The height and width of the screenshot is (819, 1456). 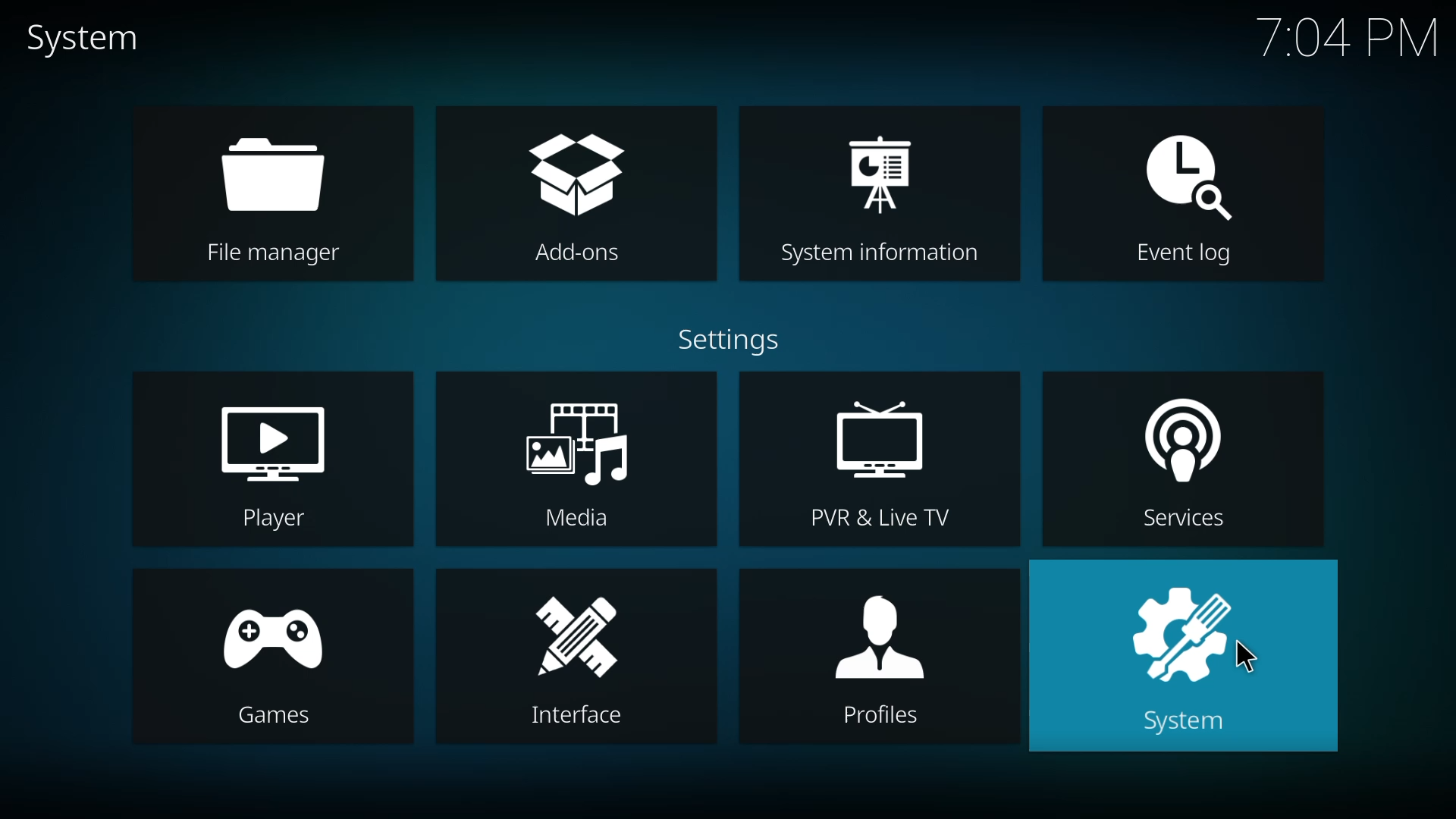 I want to click on file manager, so click(x=270, y=196).